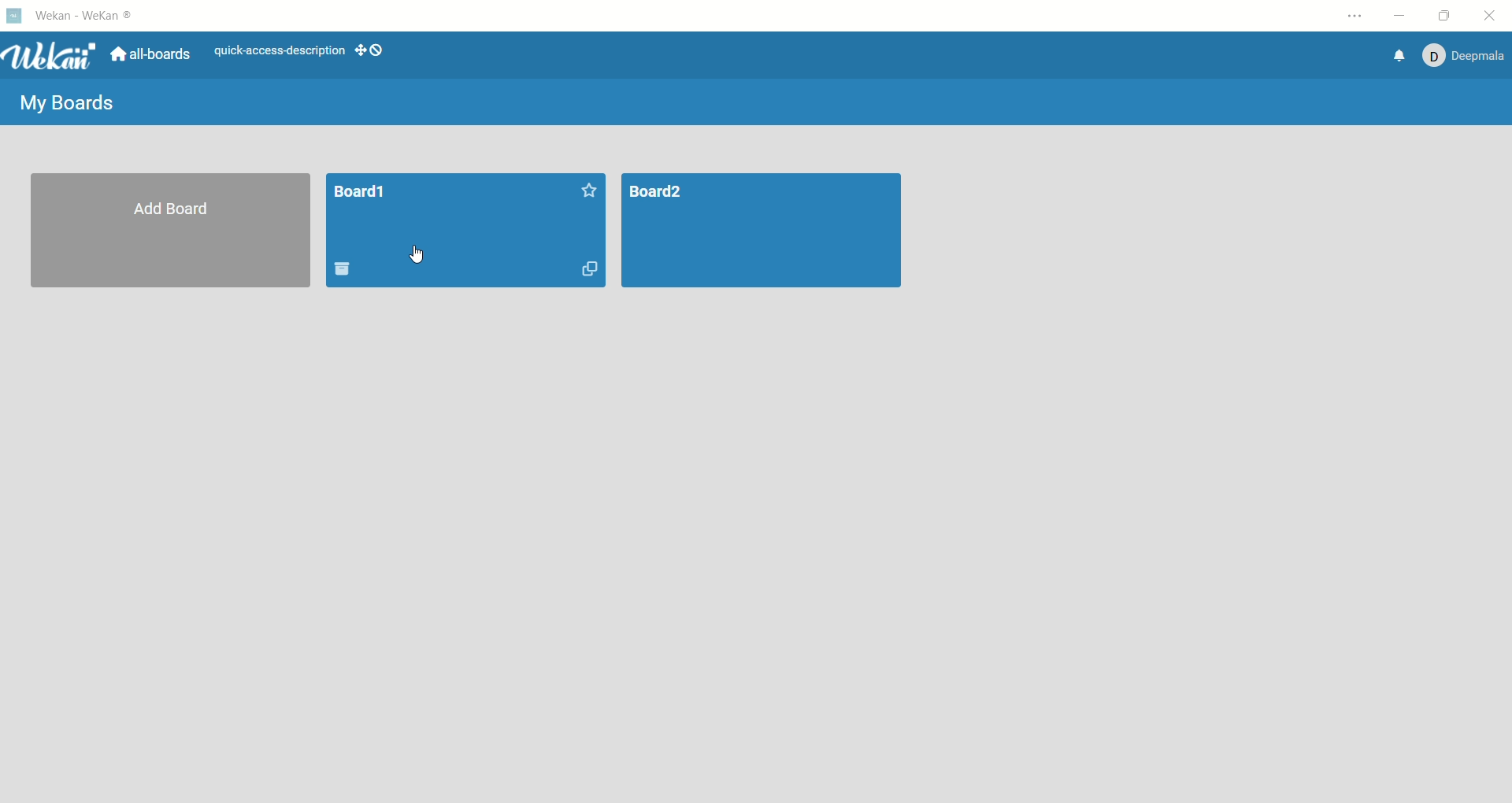  What do you see at coordinates (1442, 16) in the screenshot?
I see `maximize` at bounding box center [1442, 16].